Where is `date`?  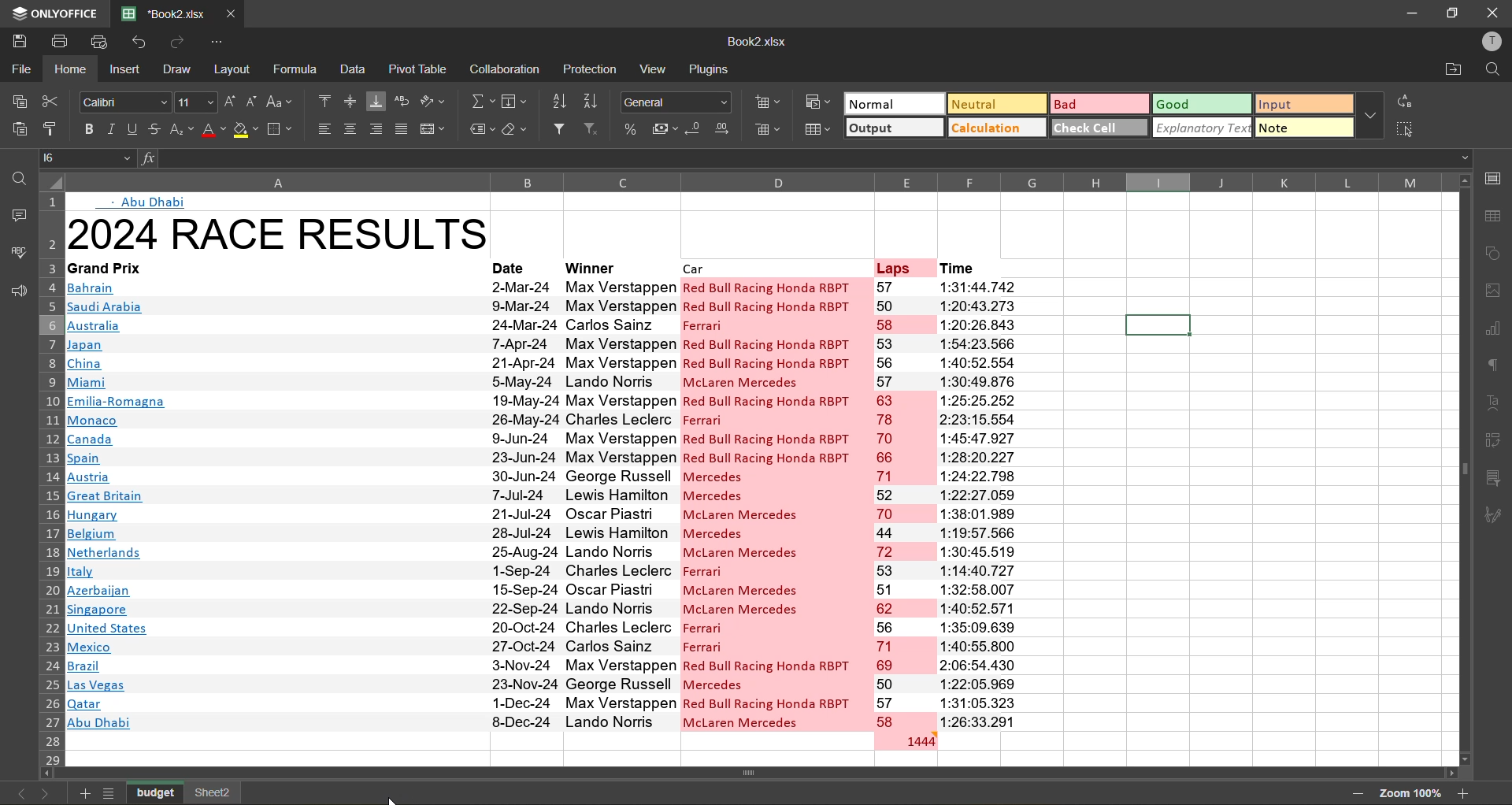
date is located at coordinates (520, 265).